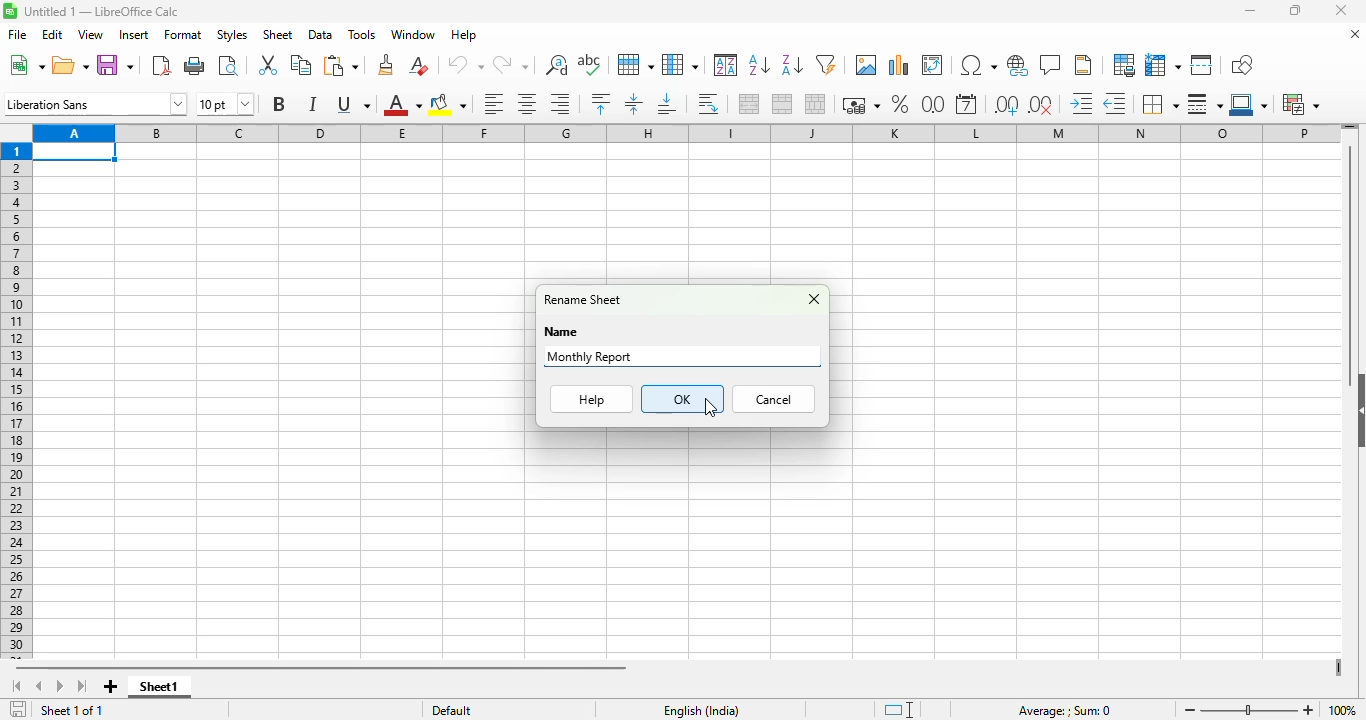 The image size is (1366, 720). What do you see at coordinates (277, 34) in the screenshot?
I see `sheet` at bounding box center [277, 34].